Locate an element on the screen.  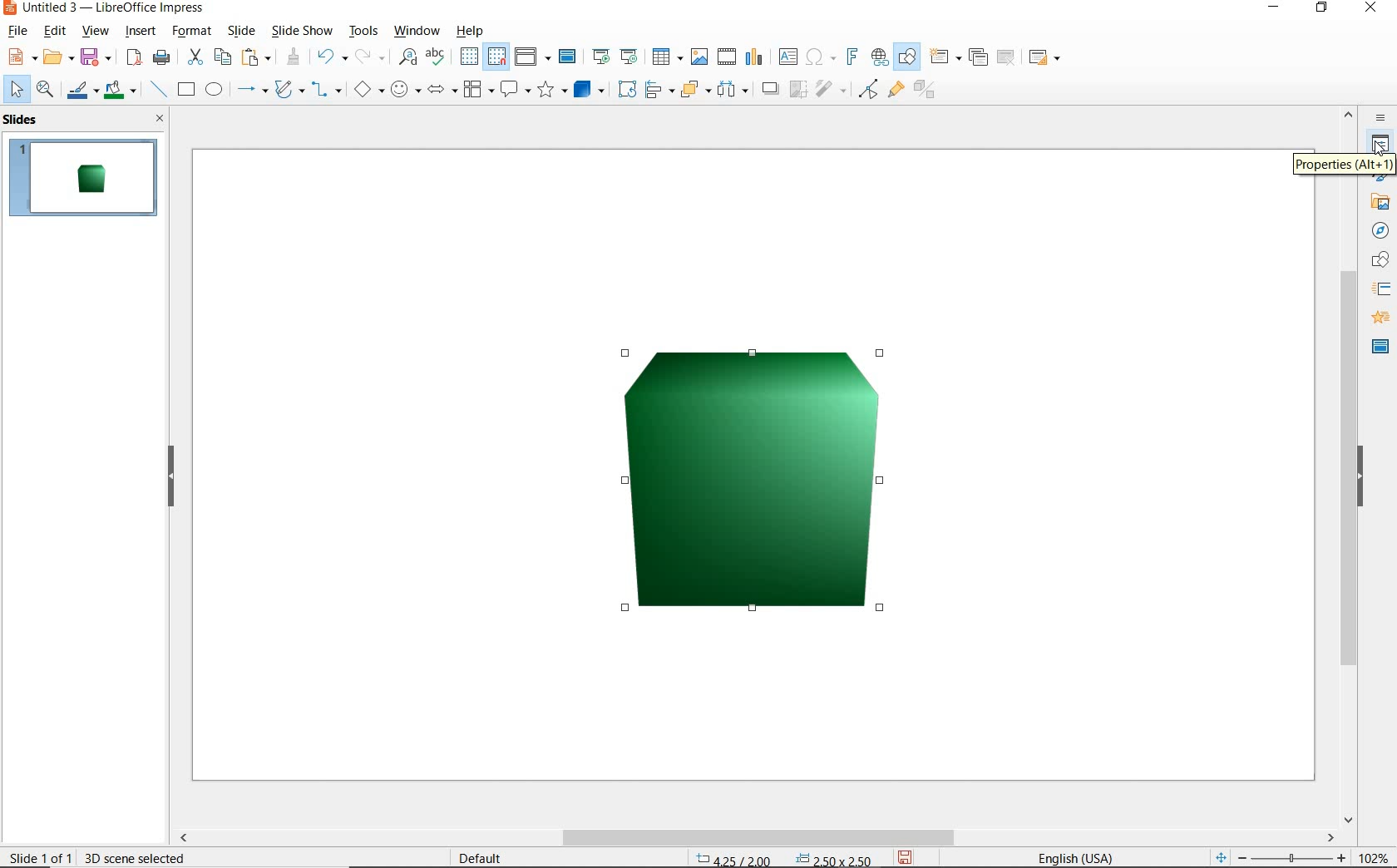
window is located at coordinates (417, 32).